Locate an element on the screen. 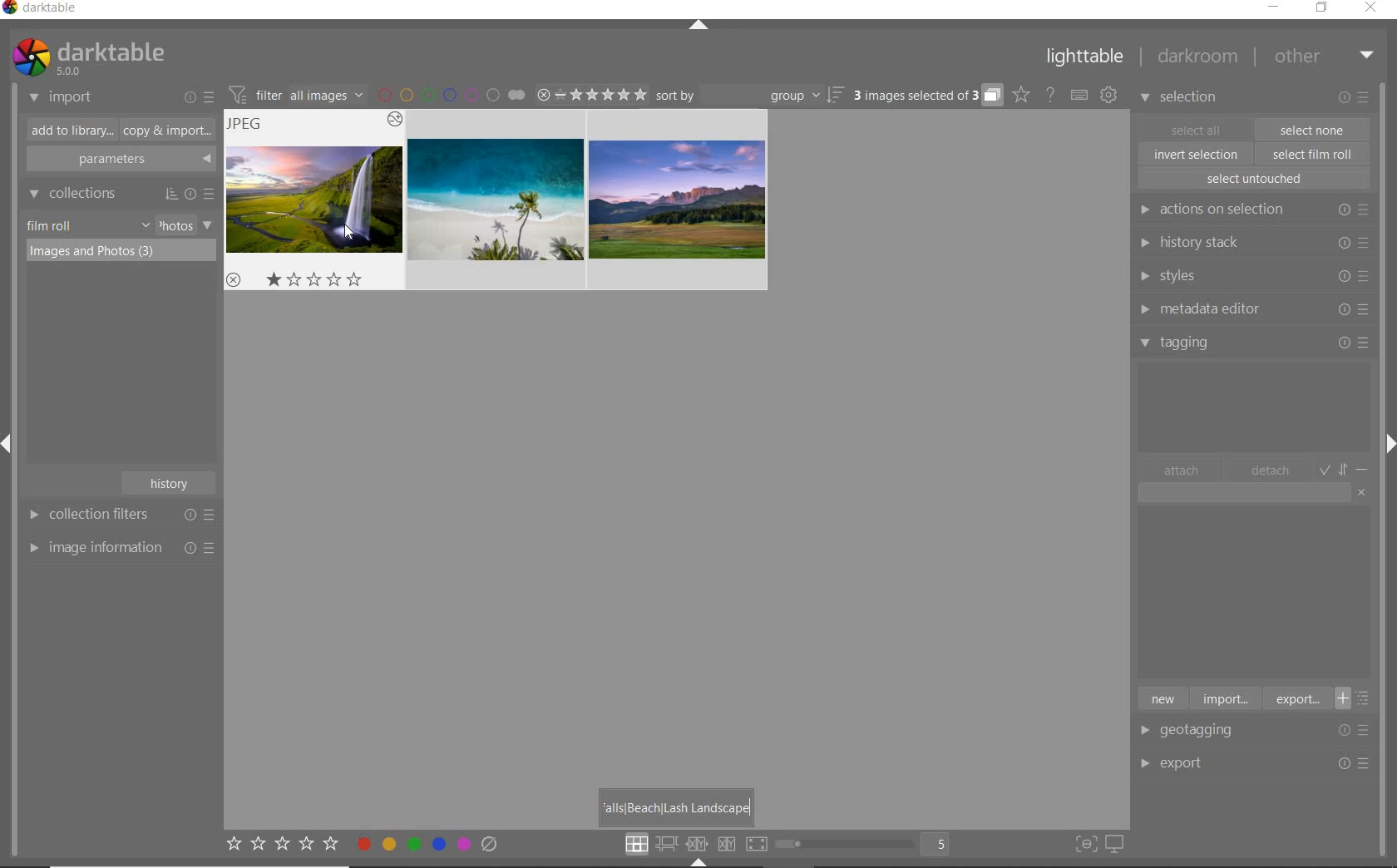 Image resolution: width=1397 pixels, height=868 pixels. toggle view is located at coordinates (868, 846).